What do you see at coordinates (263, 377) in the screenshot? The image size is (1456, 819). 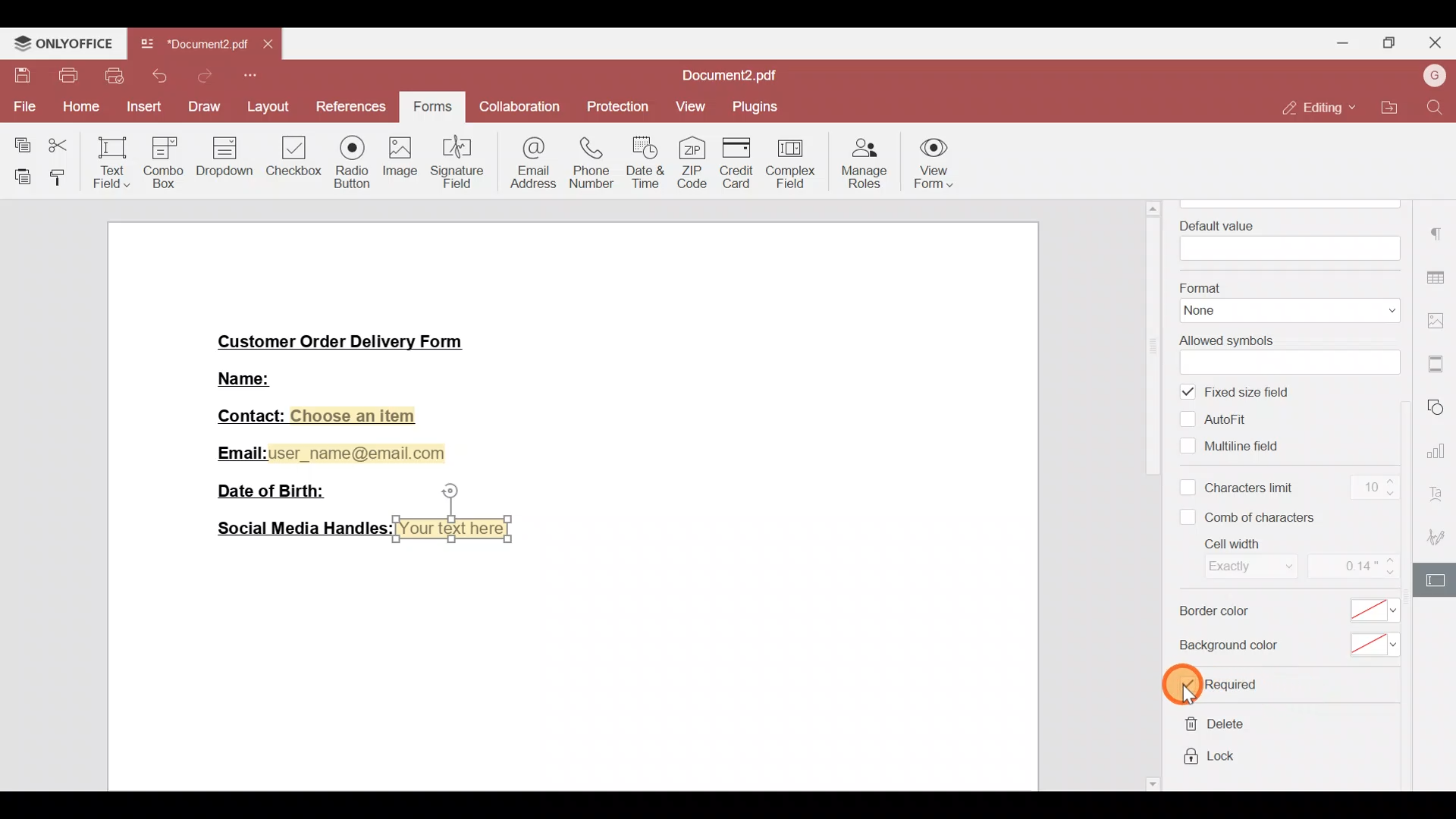 I see `Name:` at bounding box center [263, 377].